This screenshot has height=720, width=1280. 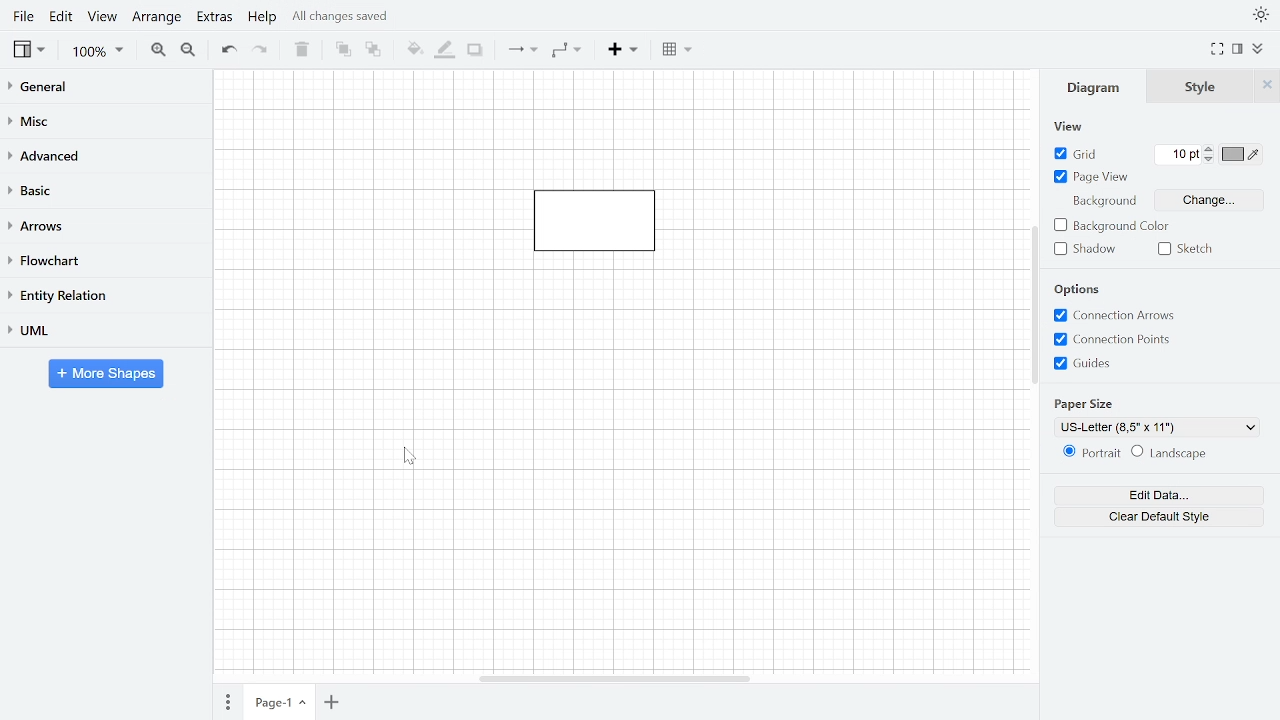 What do you see at coordinates (410, 459) in the screenshot?
I see `Cursor` at bounding box center [410, 459].